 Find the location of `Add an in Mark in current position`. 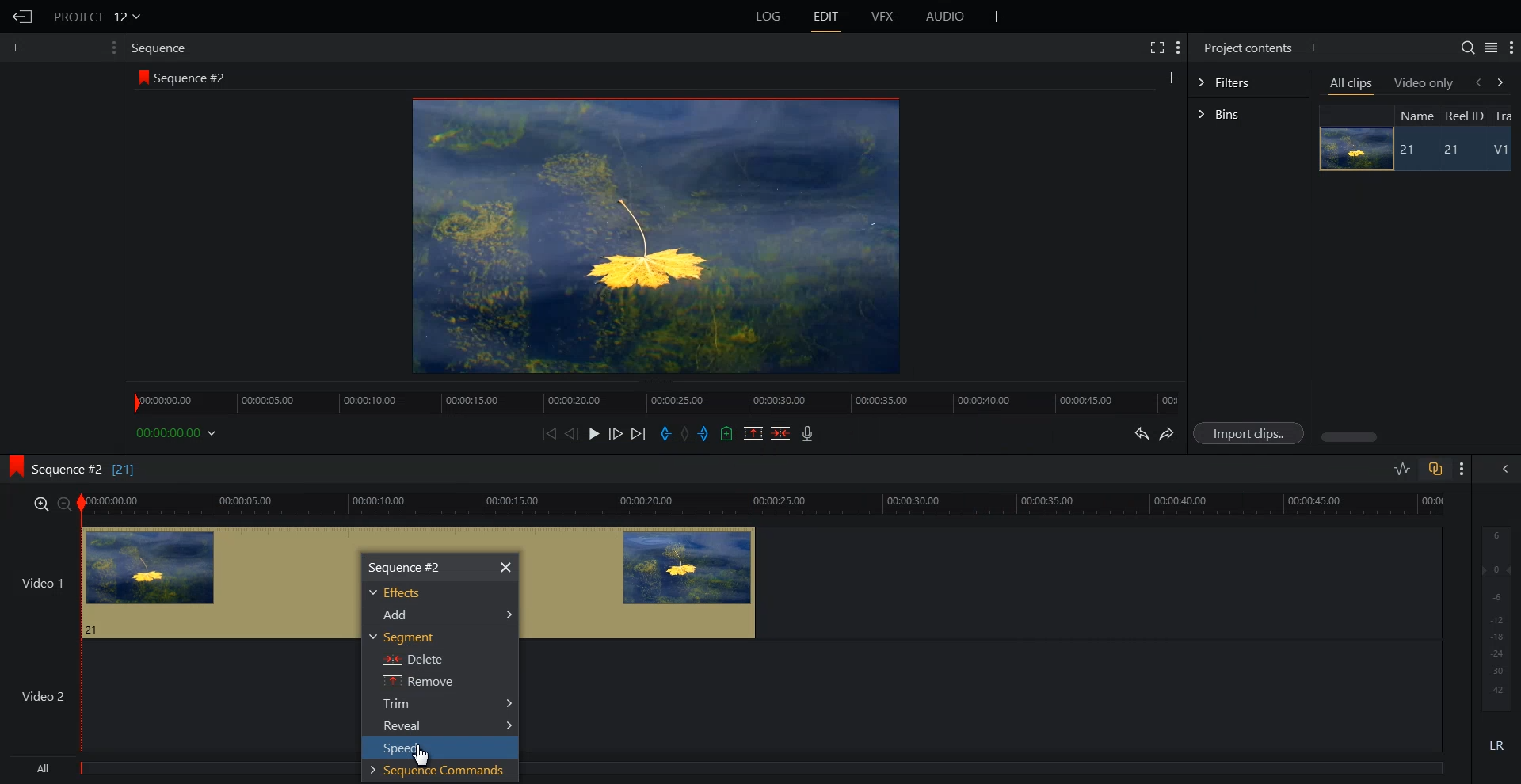

Add an in Mark in current position is located at coordinates (664, 434).